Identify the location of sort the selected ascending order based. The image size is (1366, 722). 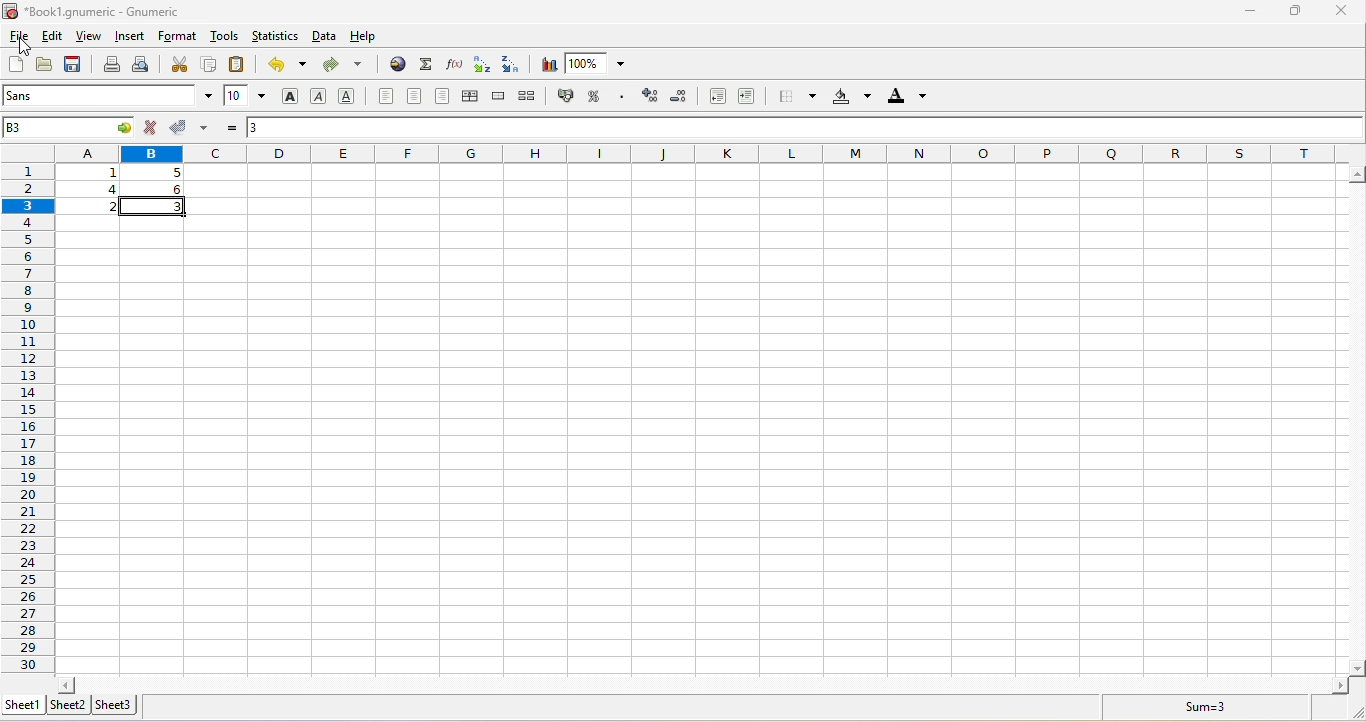
(483, 66).